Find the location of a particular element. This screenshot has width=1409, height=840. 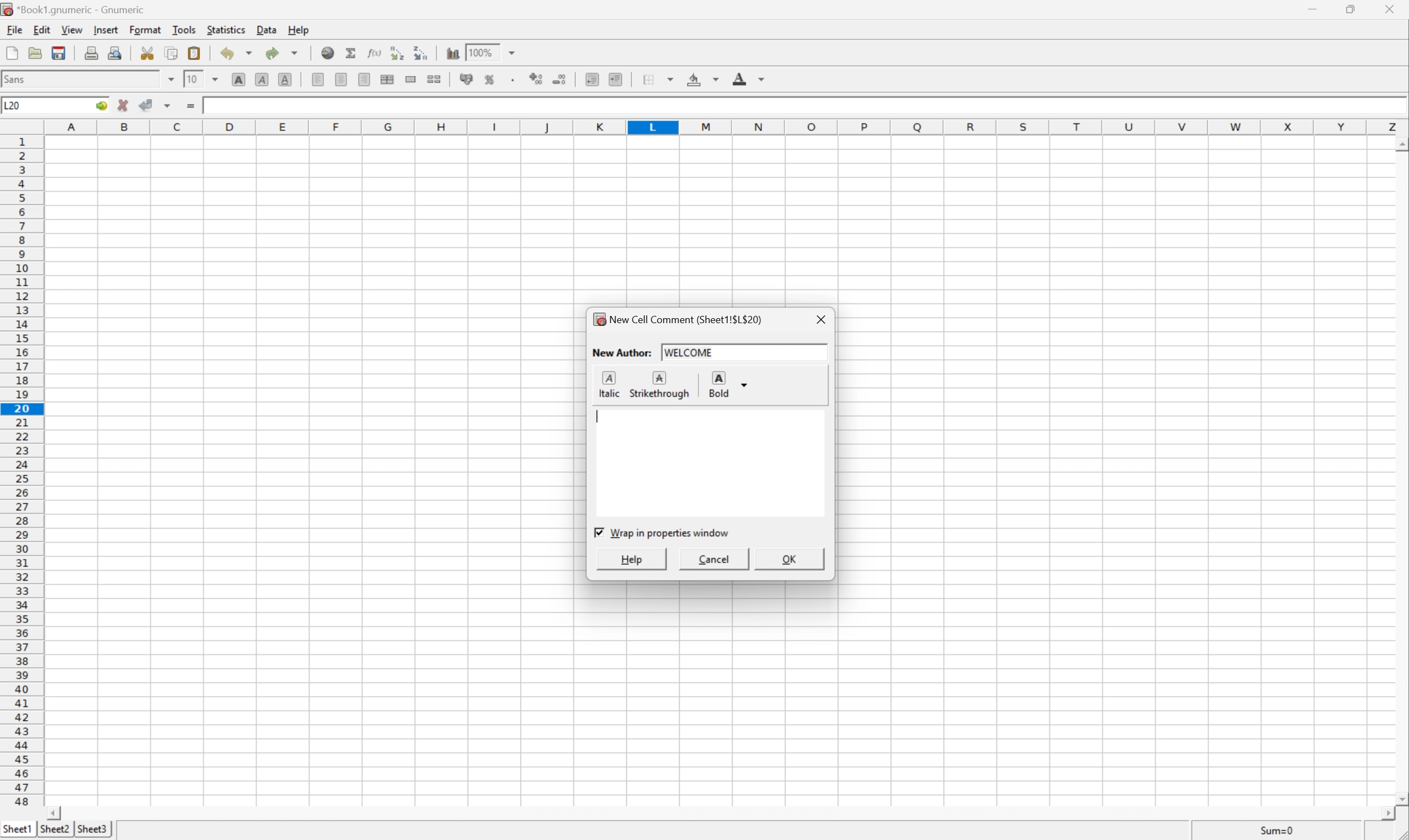

Underline is located at coordinates (285, 79).